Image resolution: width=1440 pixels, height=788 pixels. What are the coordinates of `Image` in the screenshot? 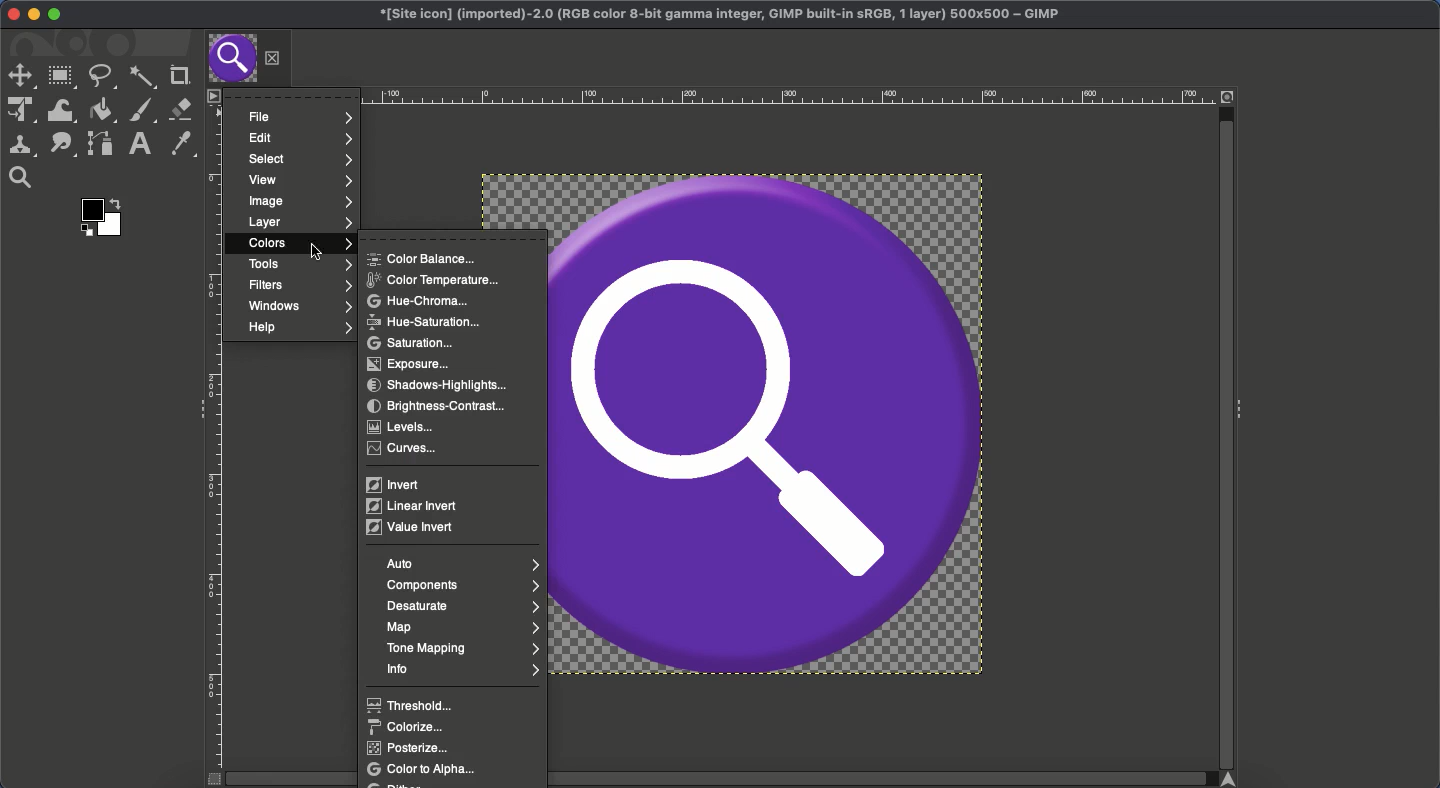 It's located at (300, 202).